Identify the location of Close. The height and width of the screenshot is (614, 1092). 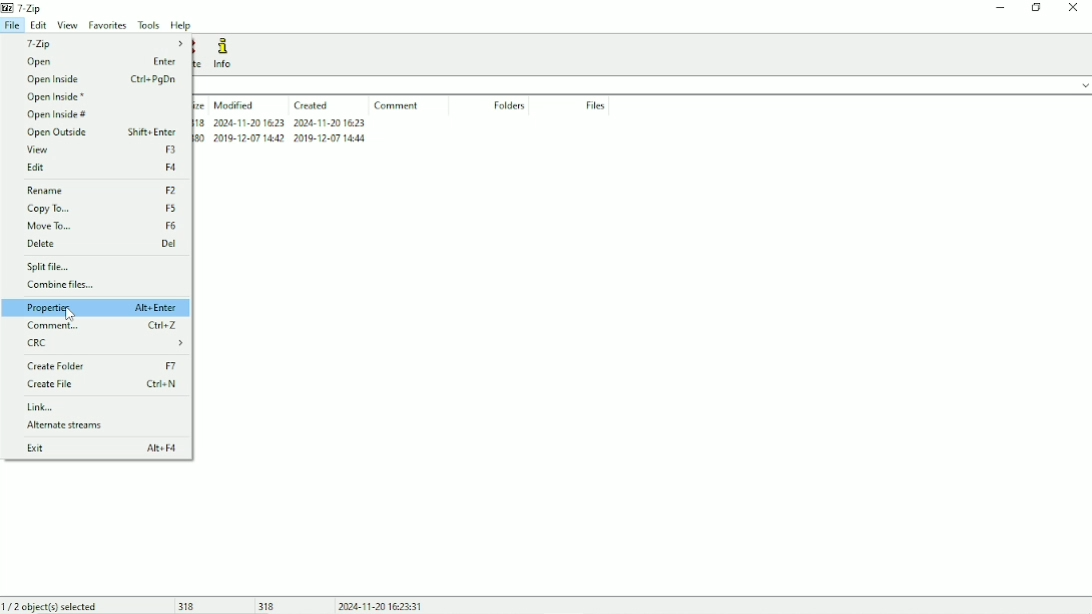
(1074, 9).